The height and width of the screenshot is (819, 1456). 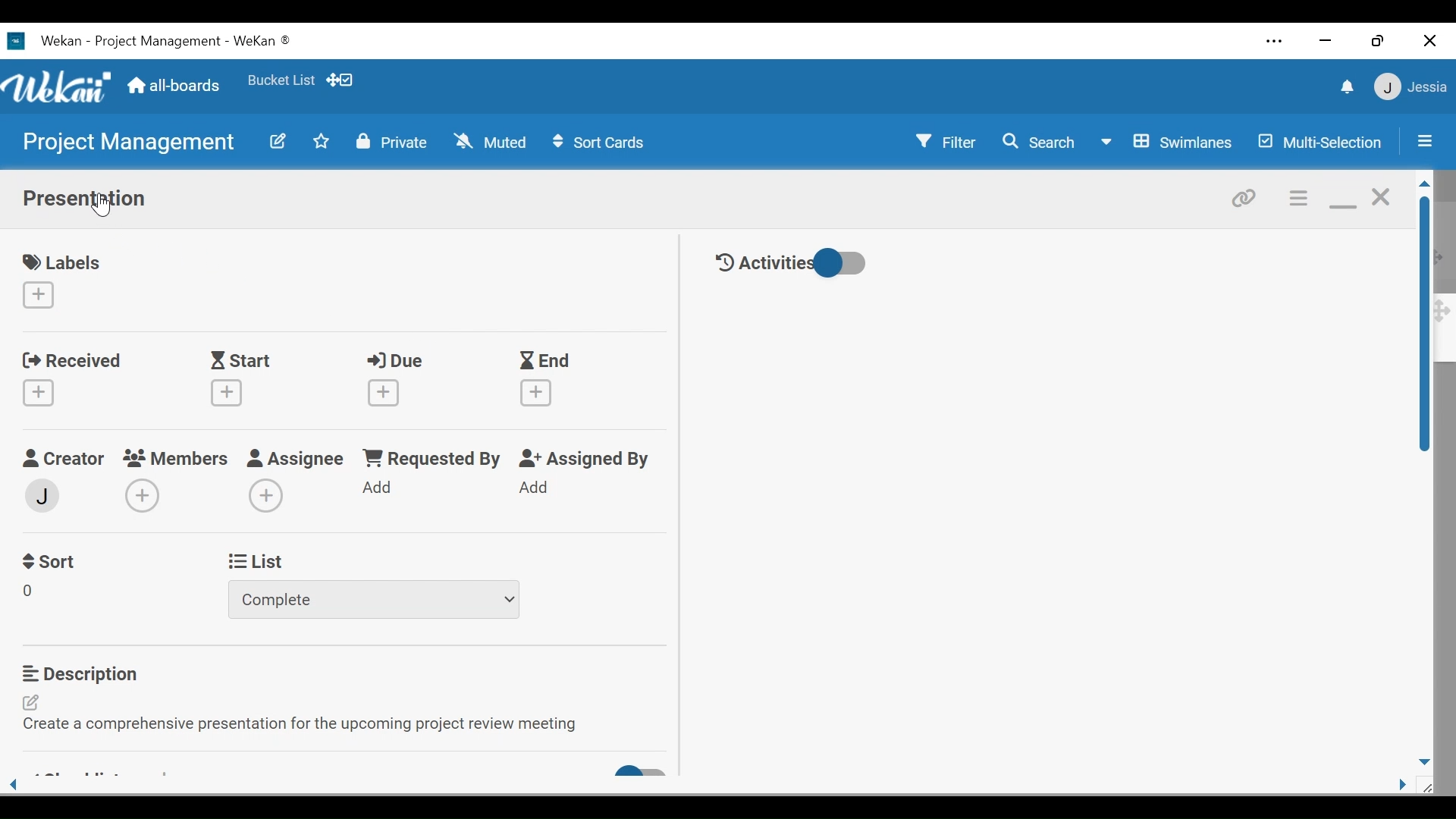 I want to click on link, so click(x=1245, y=198).